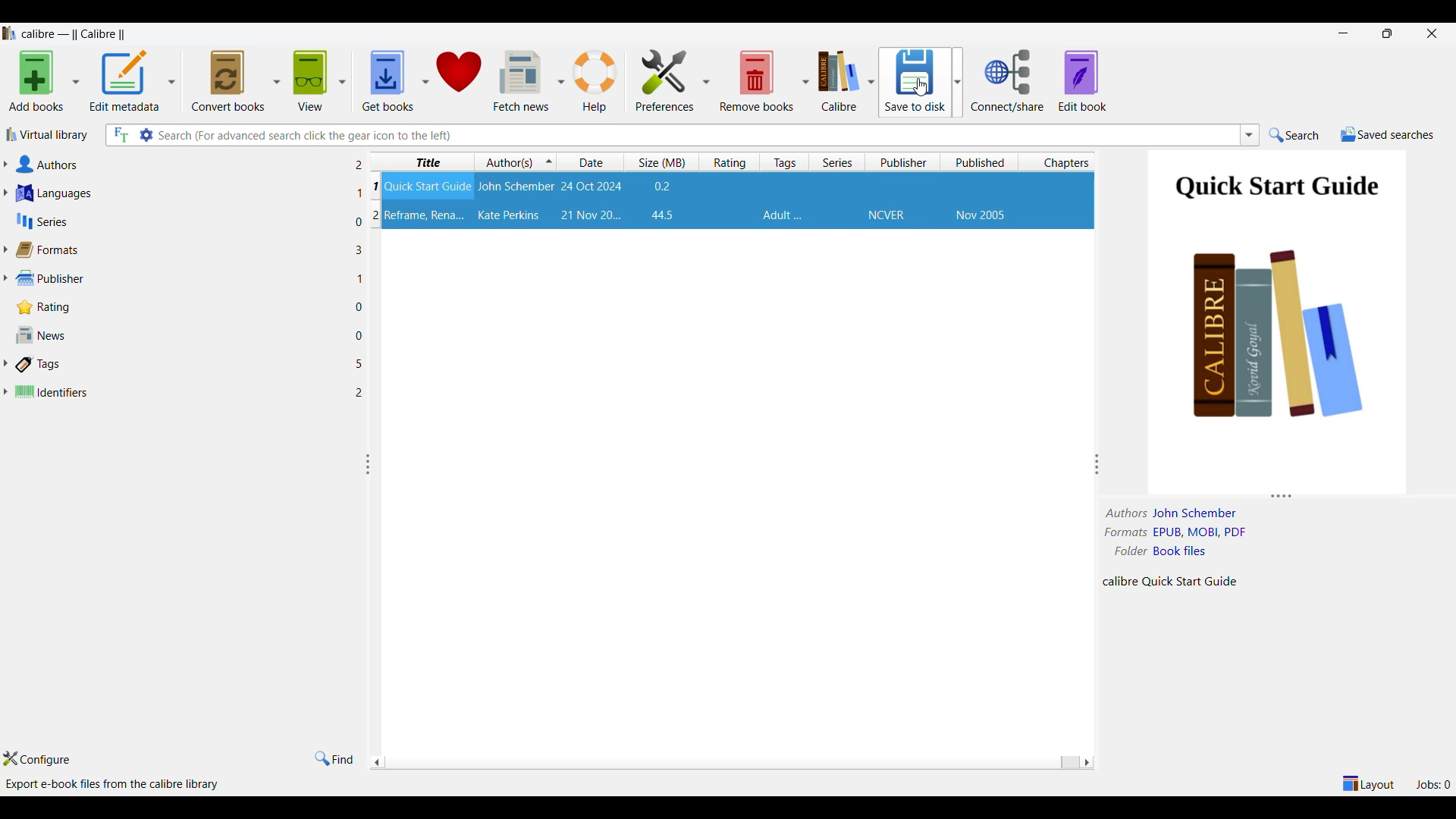 The width and height of the screenshot is (1456, 819). What do you see at coordinates (591, 187) in the screenshot?
I see `date` at bounding box center [591, 187].